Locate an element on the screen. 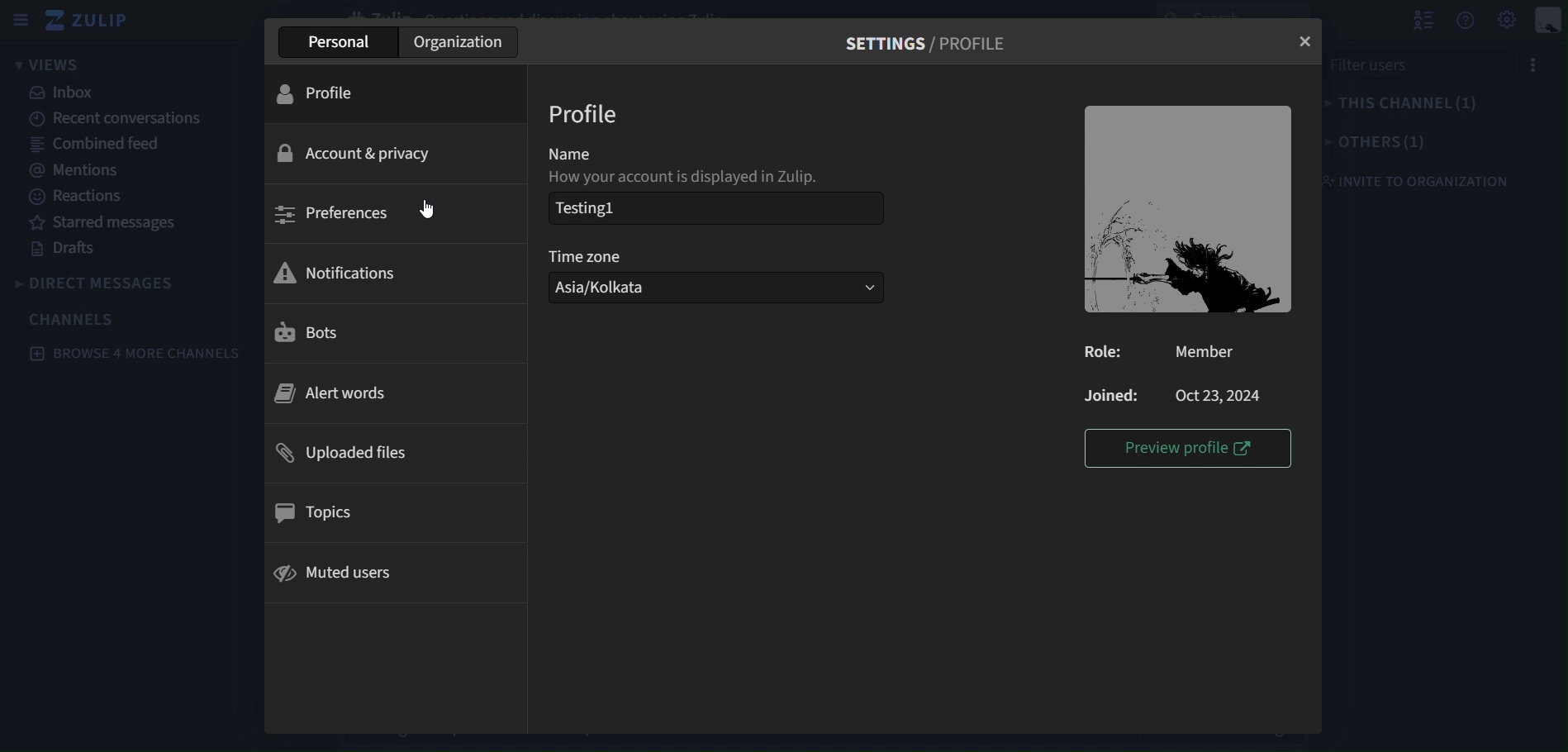  time zone is located at coordinates (594, 259).